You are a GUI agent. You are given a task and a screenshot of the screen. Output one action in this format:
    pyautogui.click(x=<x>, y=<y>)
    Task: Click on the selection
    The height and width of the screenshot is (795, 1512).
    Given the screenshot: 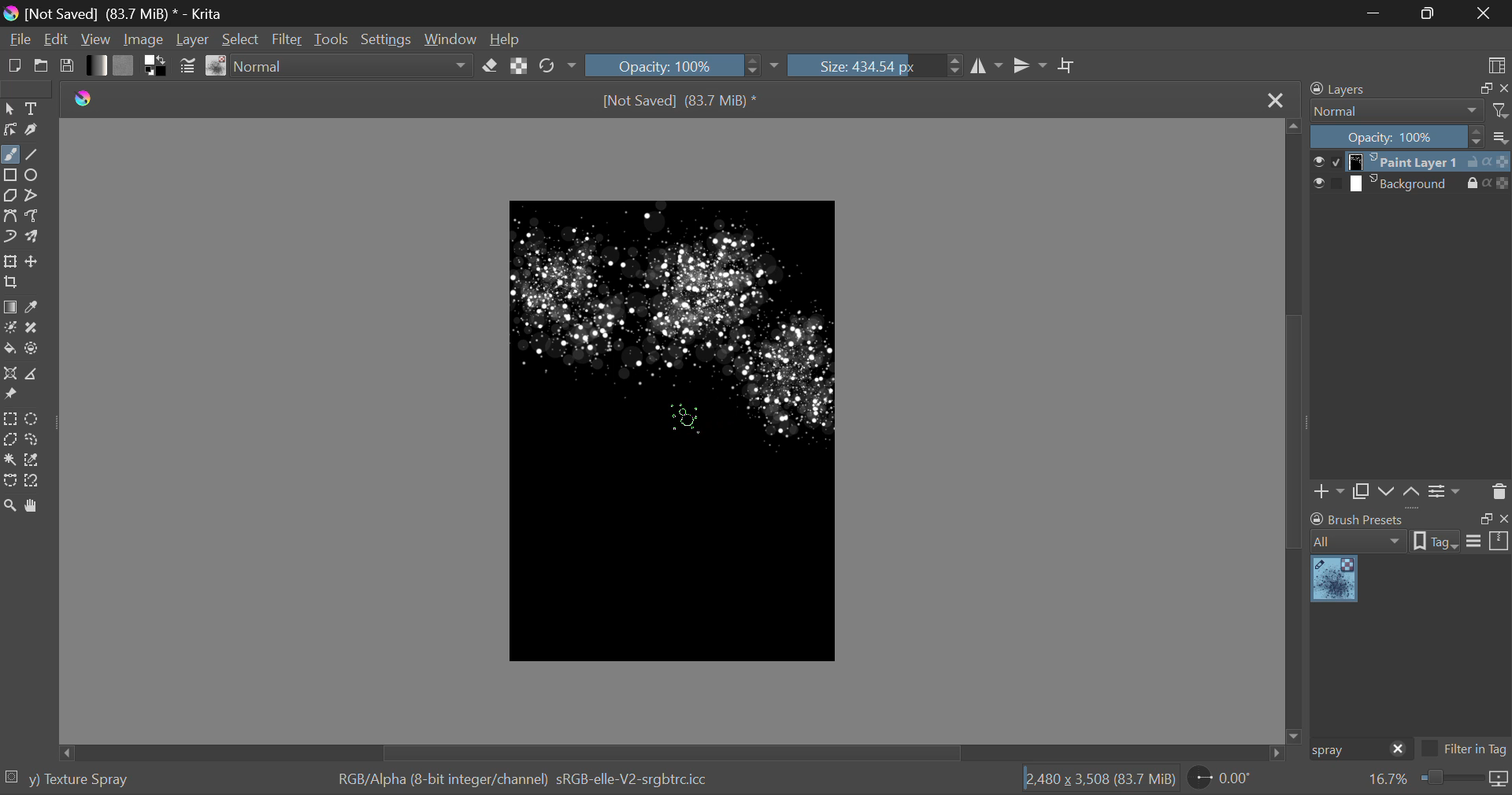 What is the action you would take?
    pyautogui.click(x=13, y=777)
    